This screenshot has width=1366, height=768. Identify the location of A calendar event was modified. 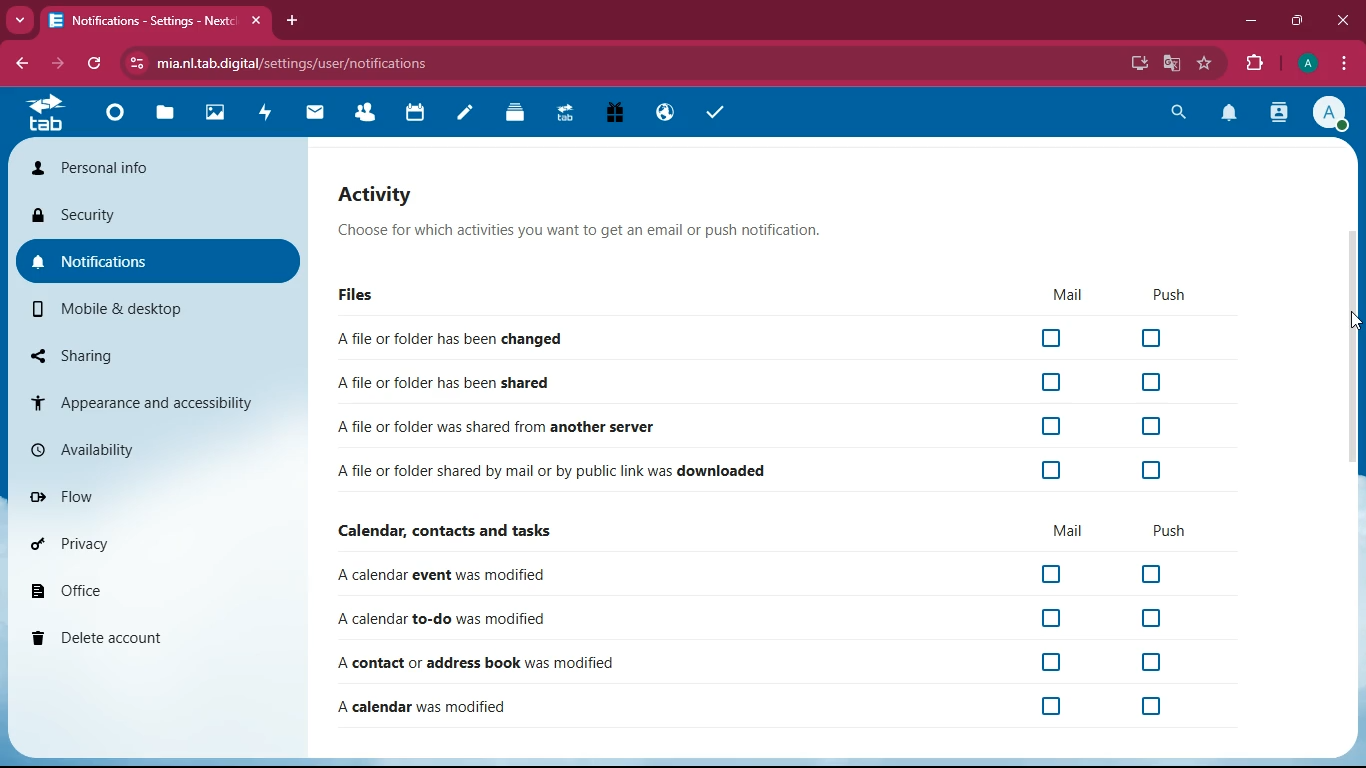
(751, 573).